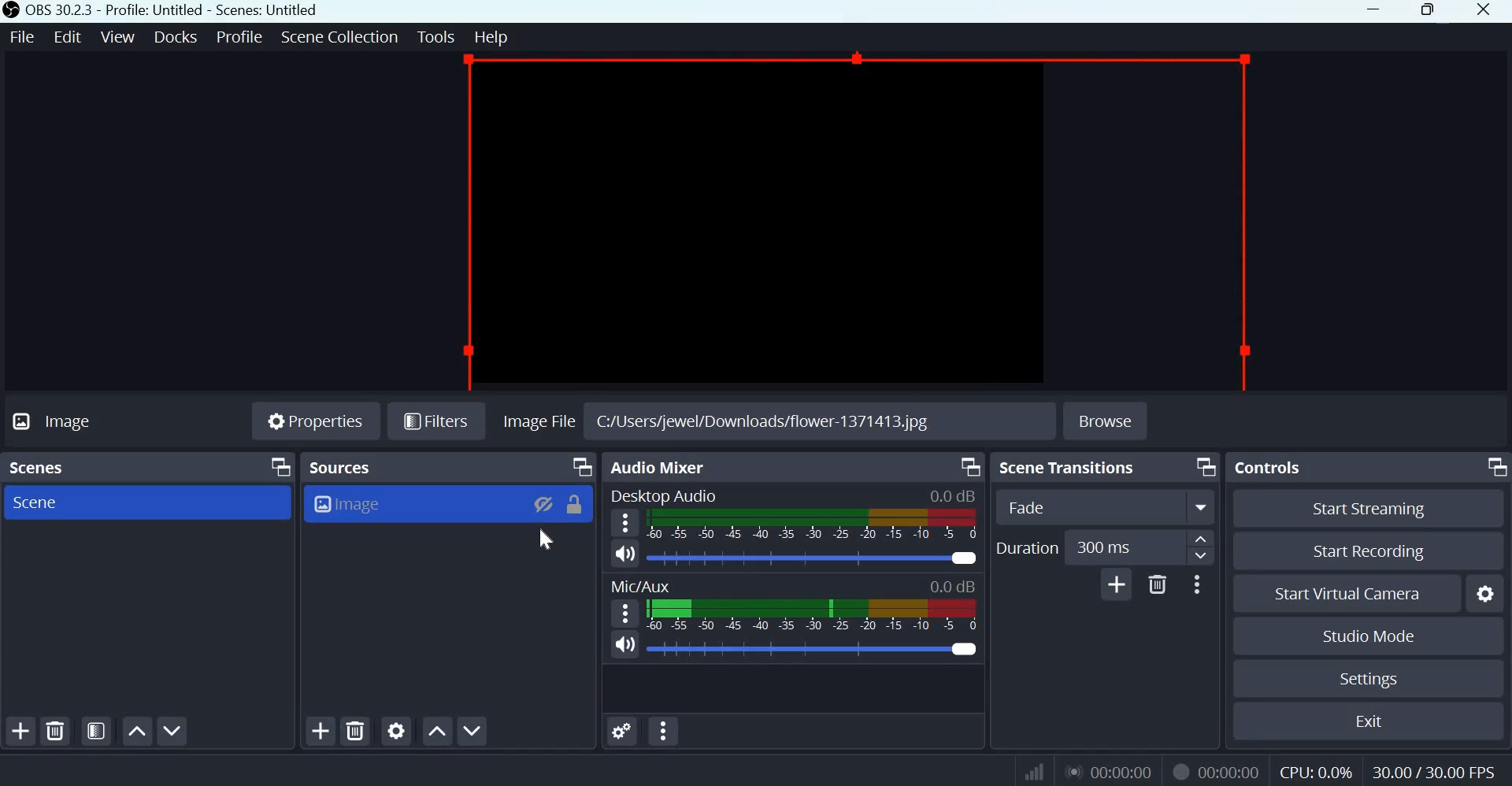 The width and height of the screenshot is (1512, 786). I want to click on Start Virtual Camera, so click(1349, 593).